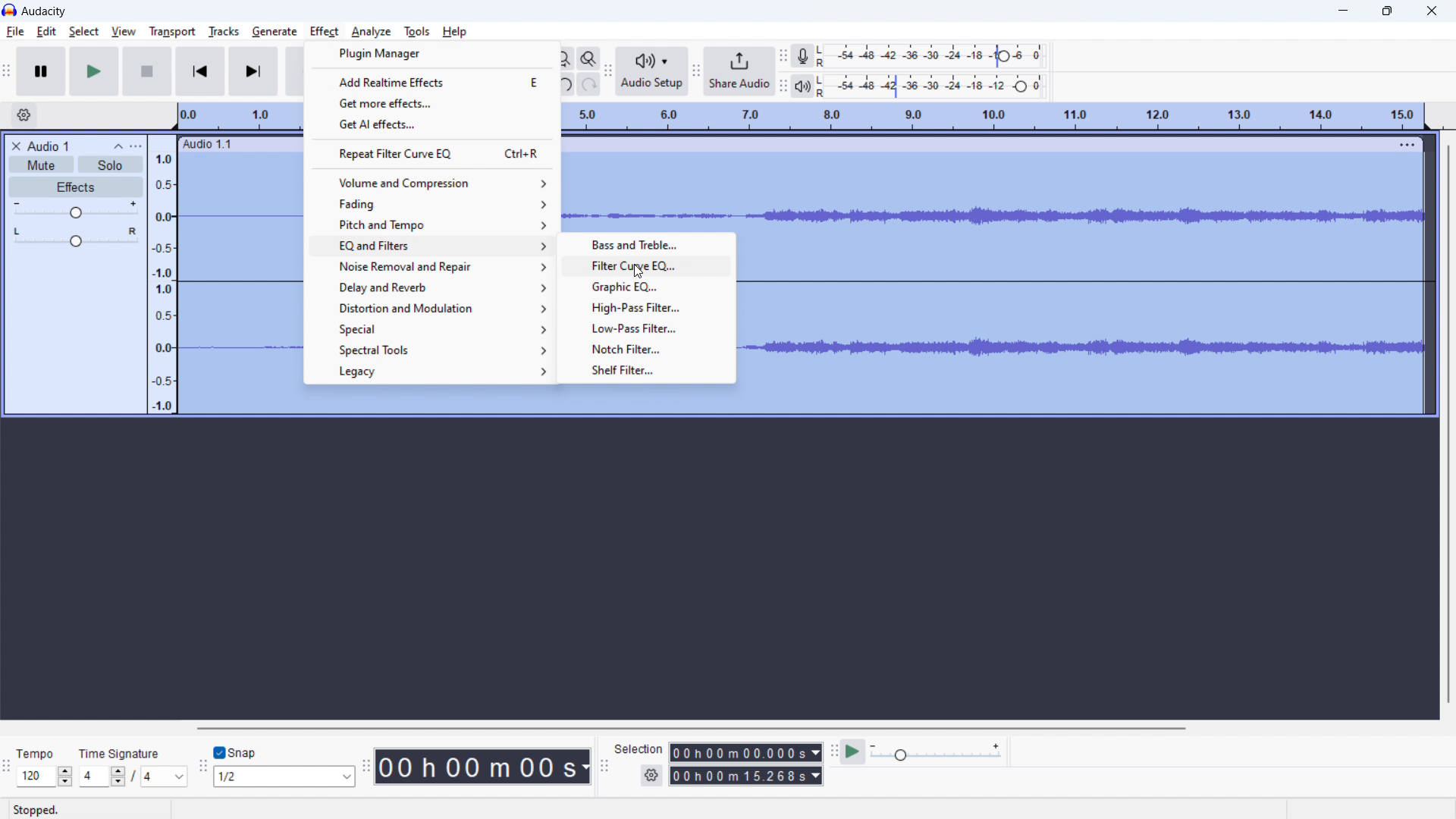  I want to click on transport, so click(173, 30).